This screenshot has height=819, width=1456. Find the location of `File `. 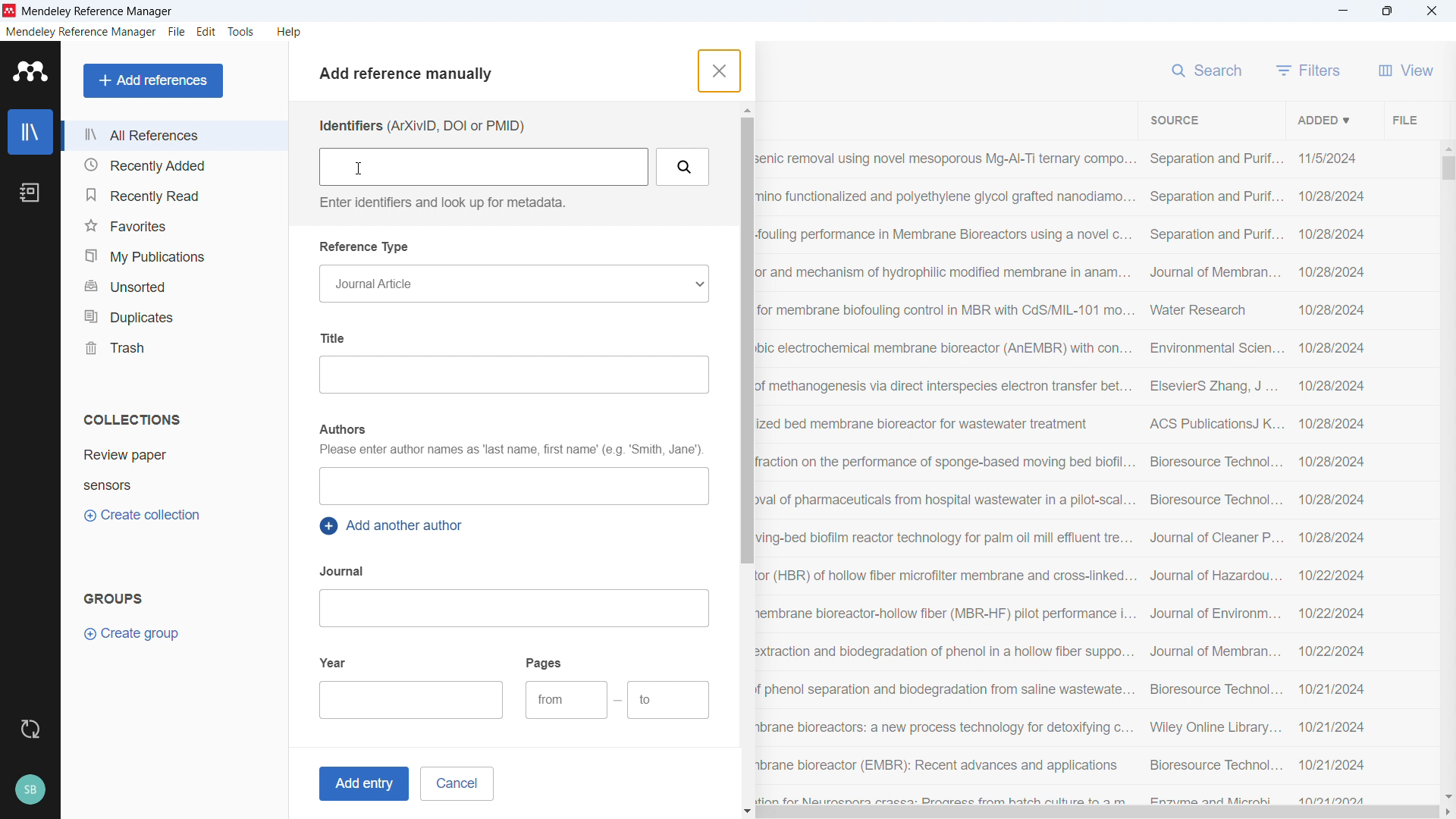

File  is located at coordinates (1403, 119).